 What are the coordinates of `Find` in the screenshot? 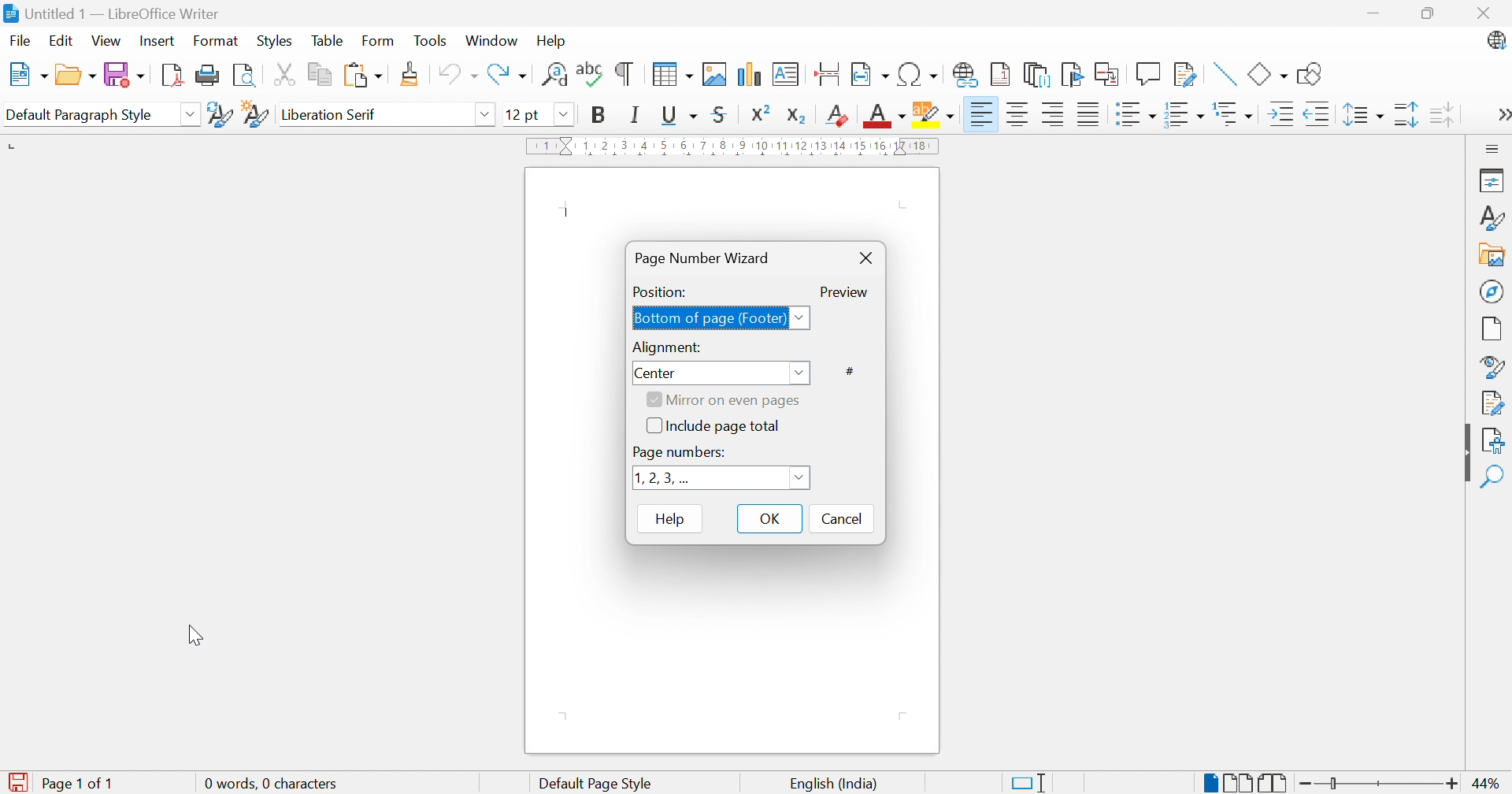 It's located at (1494, 478).